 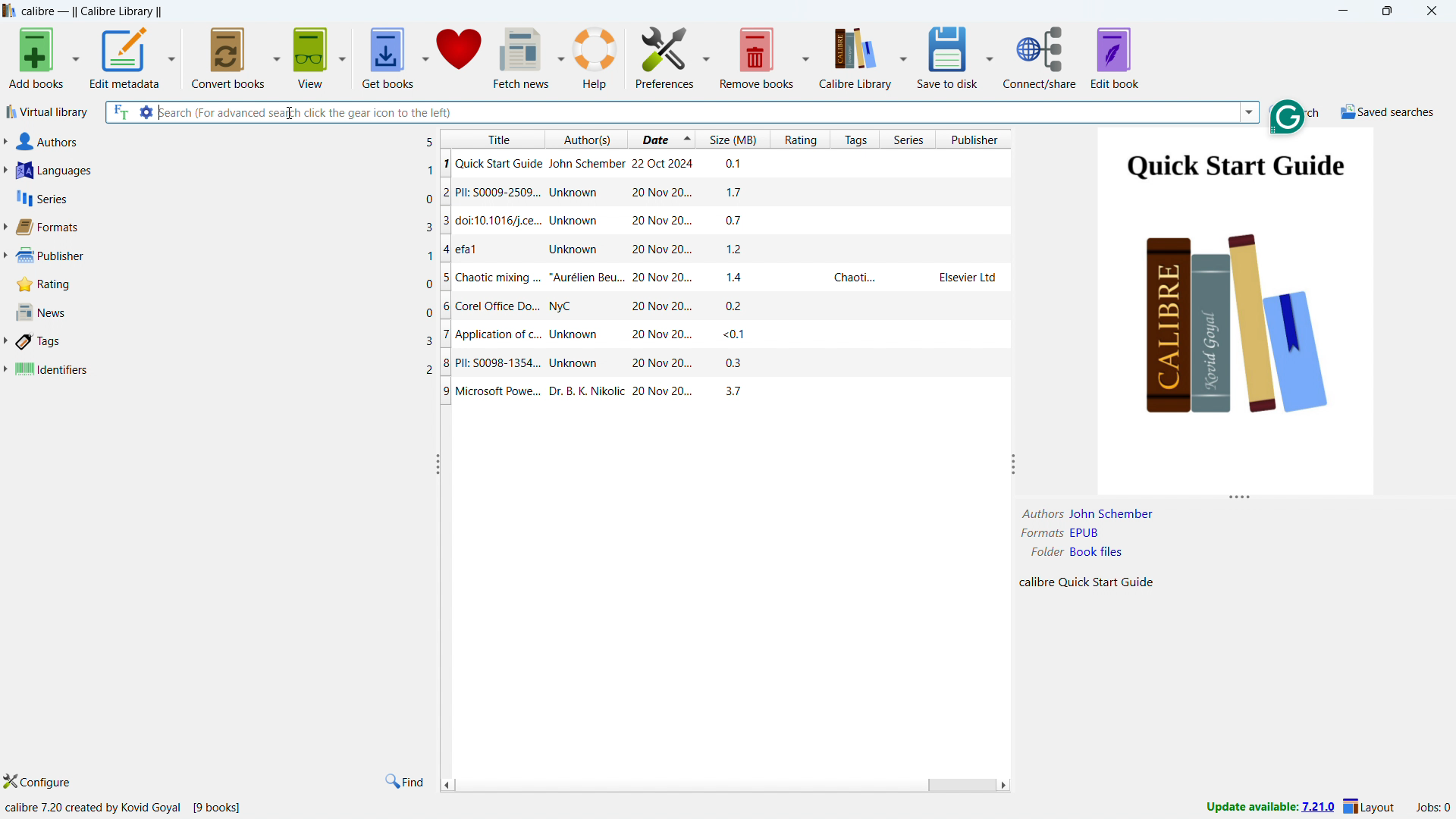 I want to click on save to disk, so click(x=946, y=57).